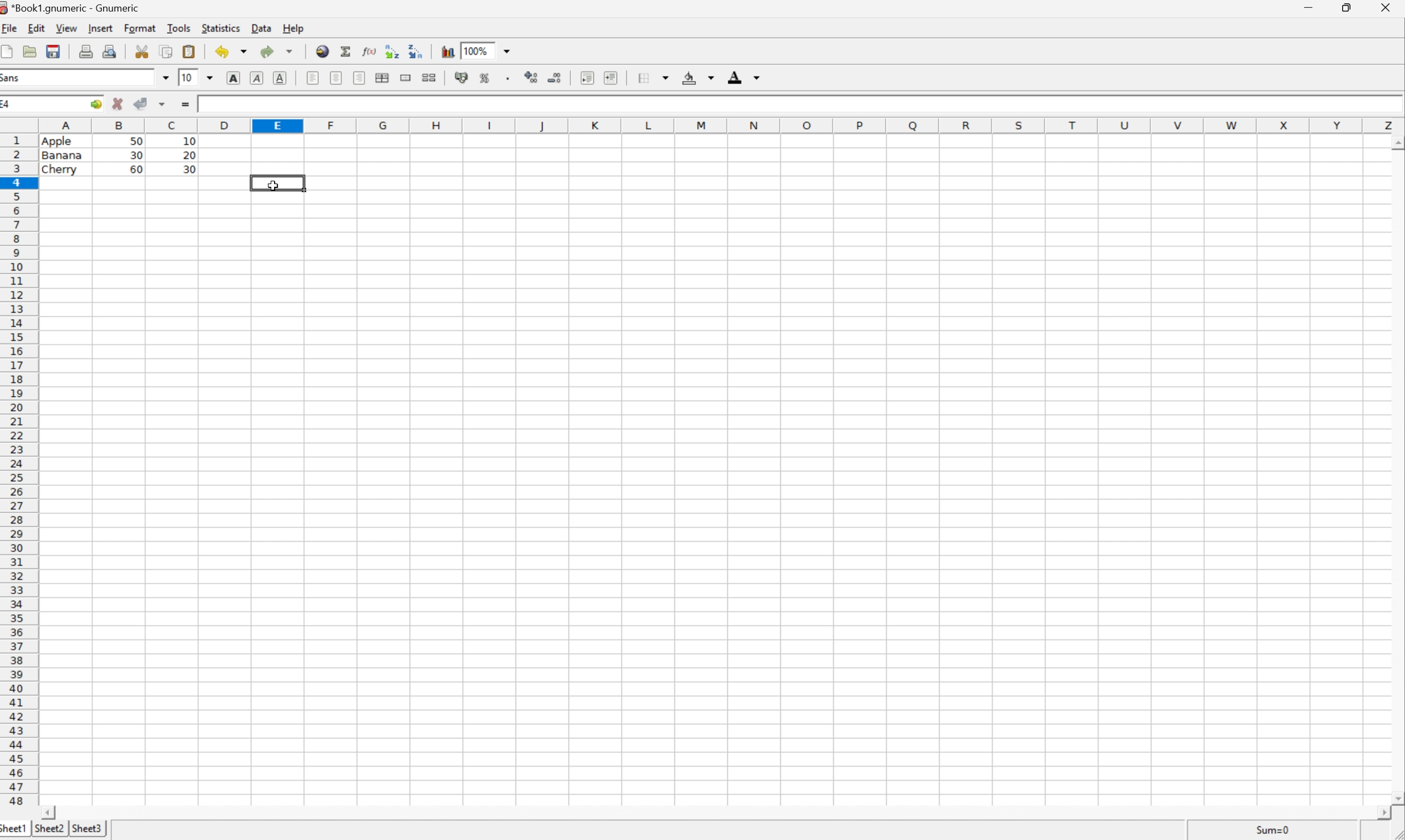  What do you see at coordinates (87, 51) in the screenshot?
I see `print` at bounding box center [87, 51].